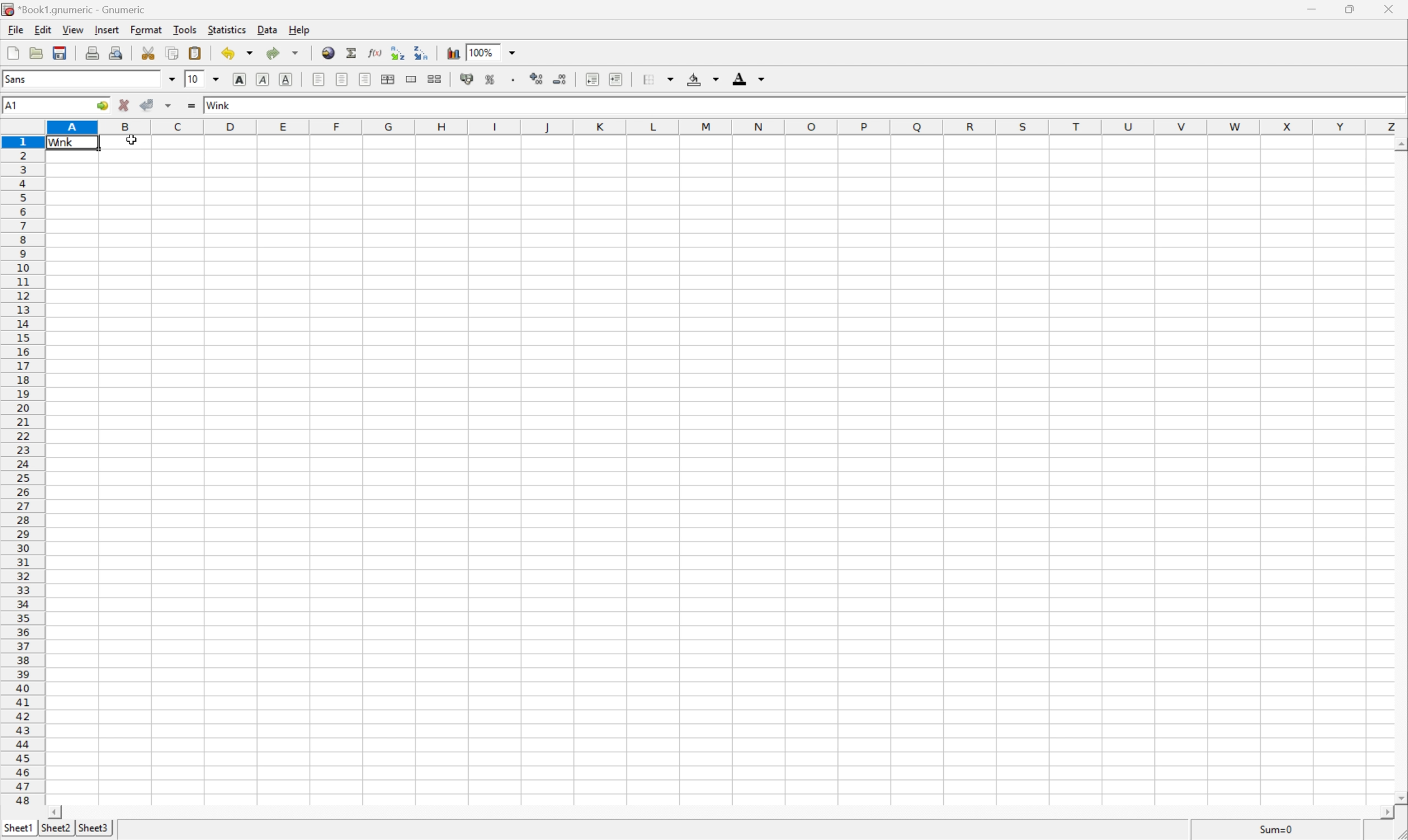 This screenshot has width=1408, height=840. What do you see at coordinates (1399, 798) in the screenshot?
I see `scroll down` at bounding box center [1399, 798].